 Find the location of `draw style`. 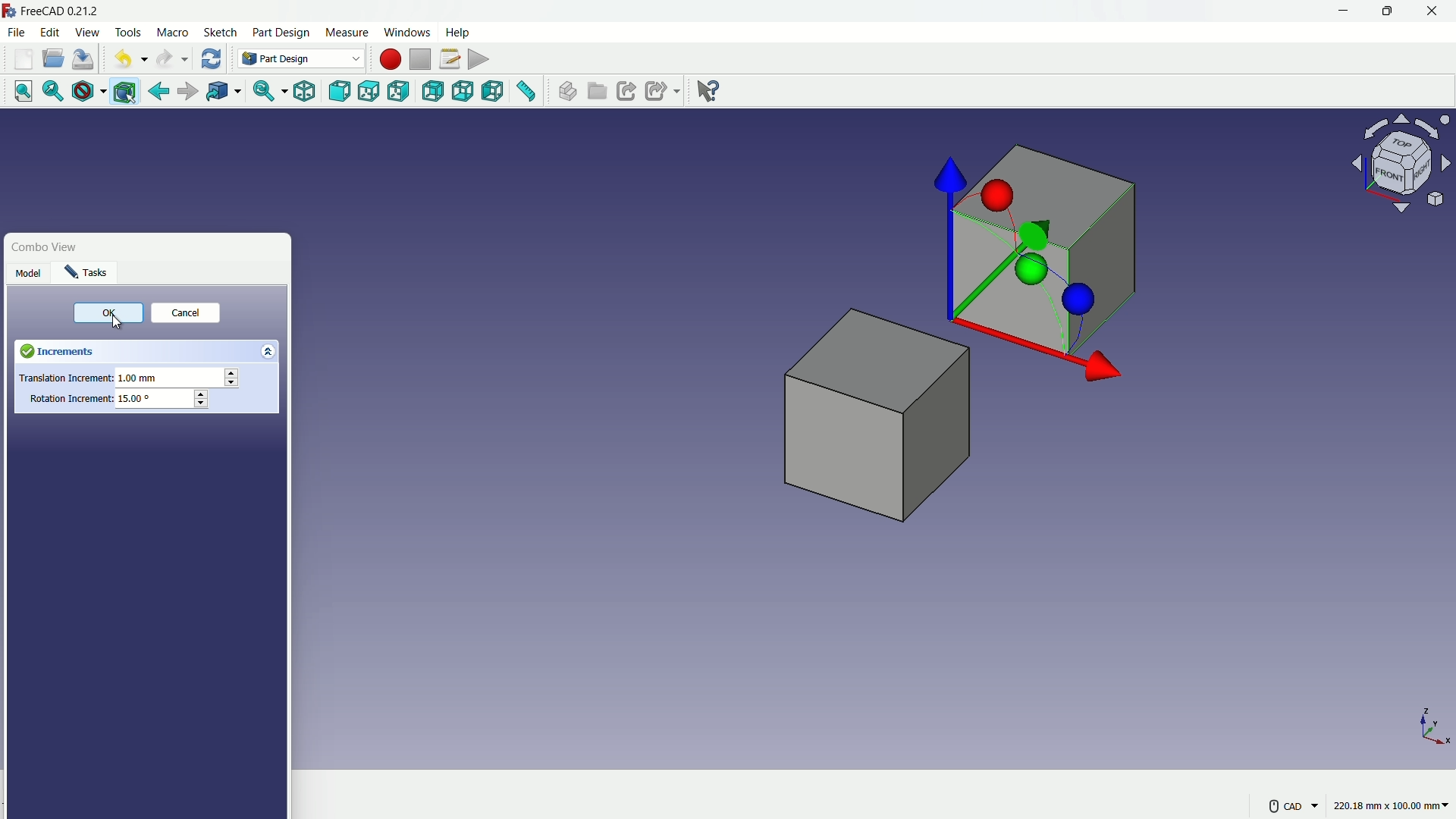

draw style is located at coordinates (86, 92).